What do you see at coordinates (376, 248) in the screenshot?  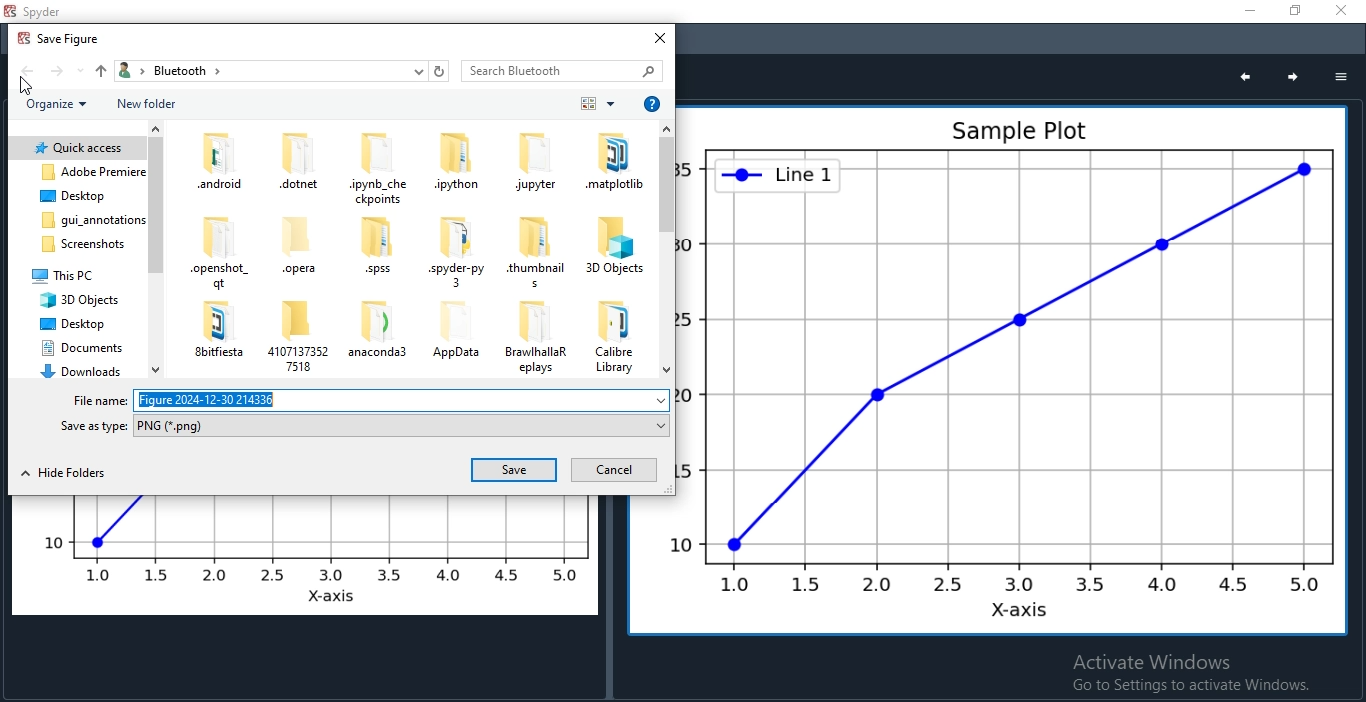 I see `files` at bounding box center [376, 248].